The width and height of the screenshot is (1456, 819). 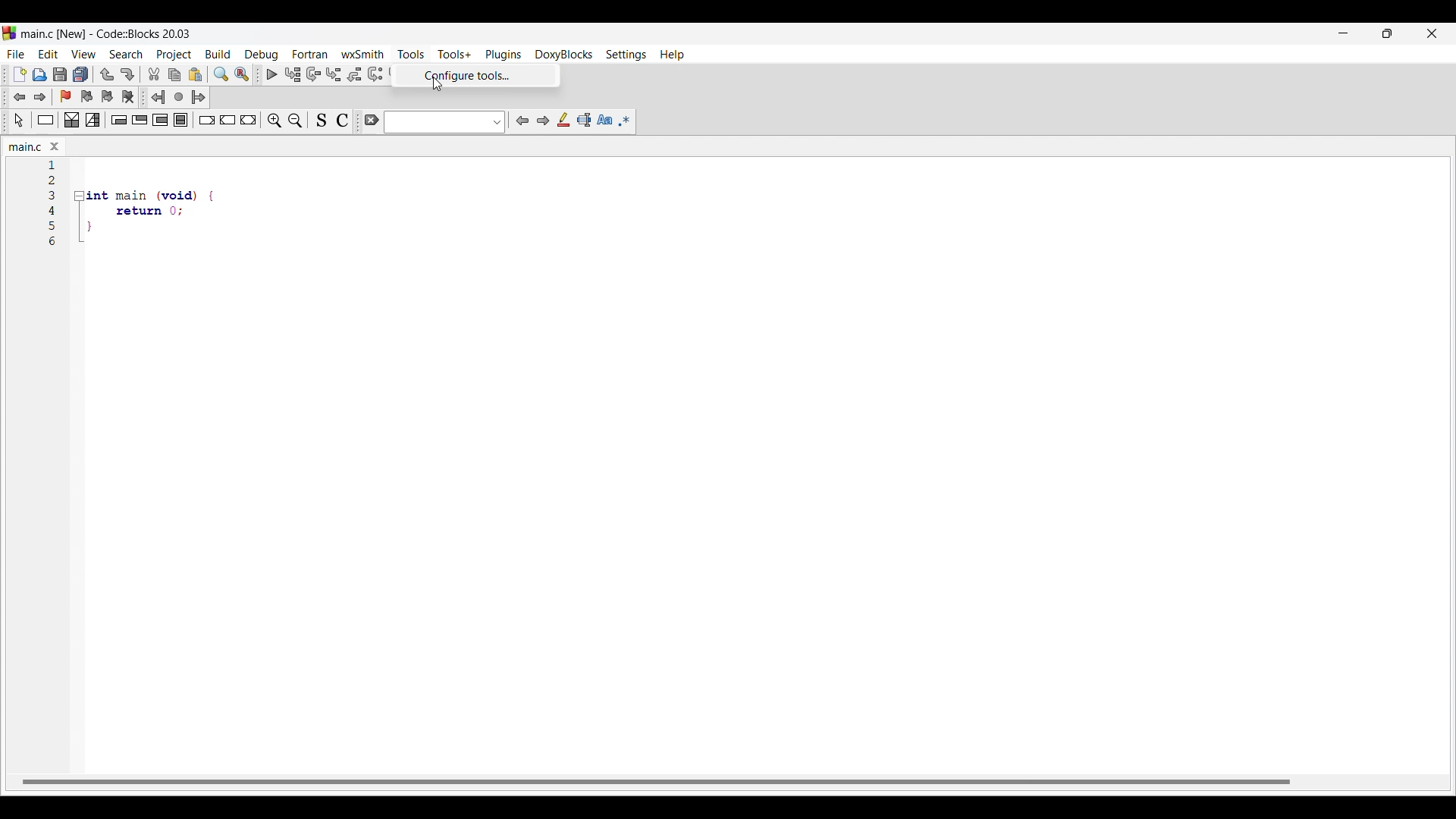 What do you see at coordinates (438, 91) in the screenshot?
I see `cursor` at bounding box center [438, 91].